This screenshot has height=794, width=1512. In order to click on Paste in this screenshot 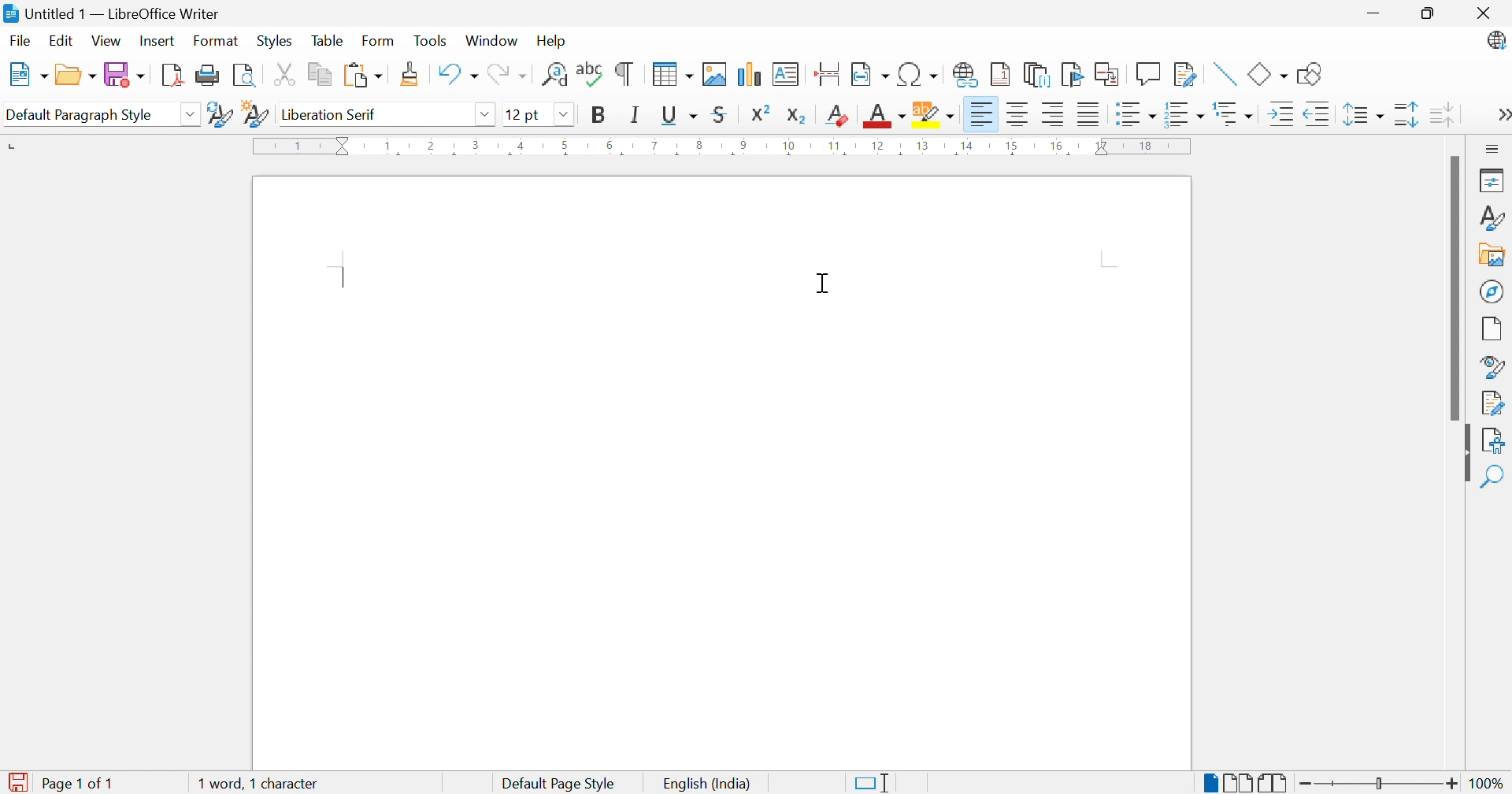, I will do `click(362, 74)`.